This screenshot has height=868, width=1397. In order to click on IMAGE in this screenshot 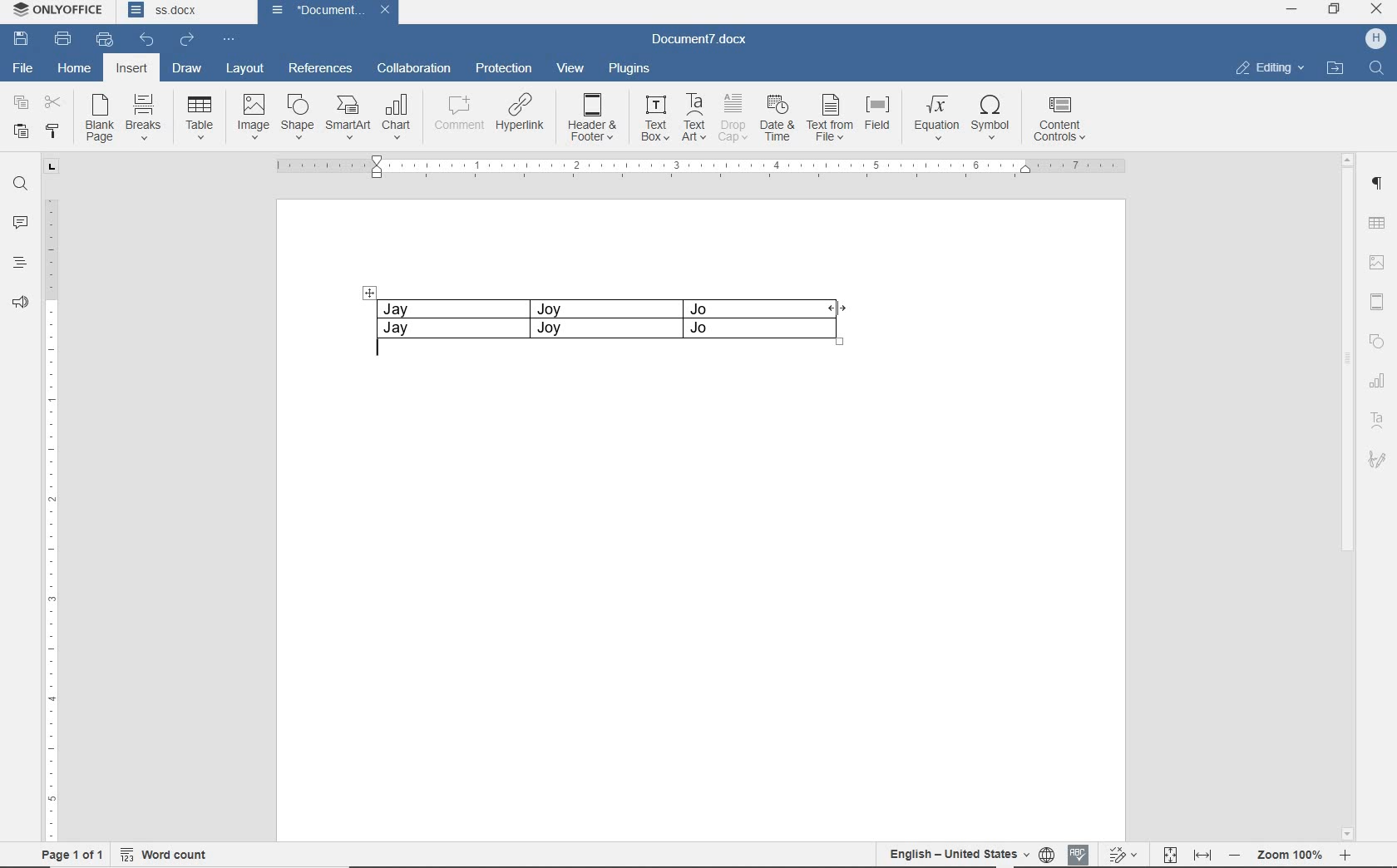, I will do `click(252, 116)`.